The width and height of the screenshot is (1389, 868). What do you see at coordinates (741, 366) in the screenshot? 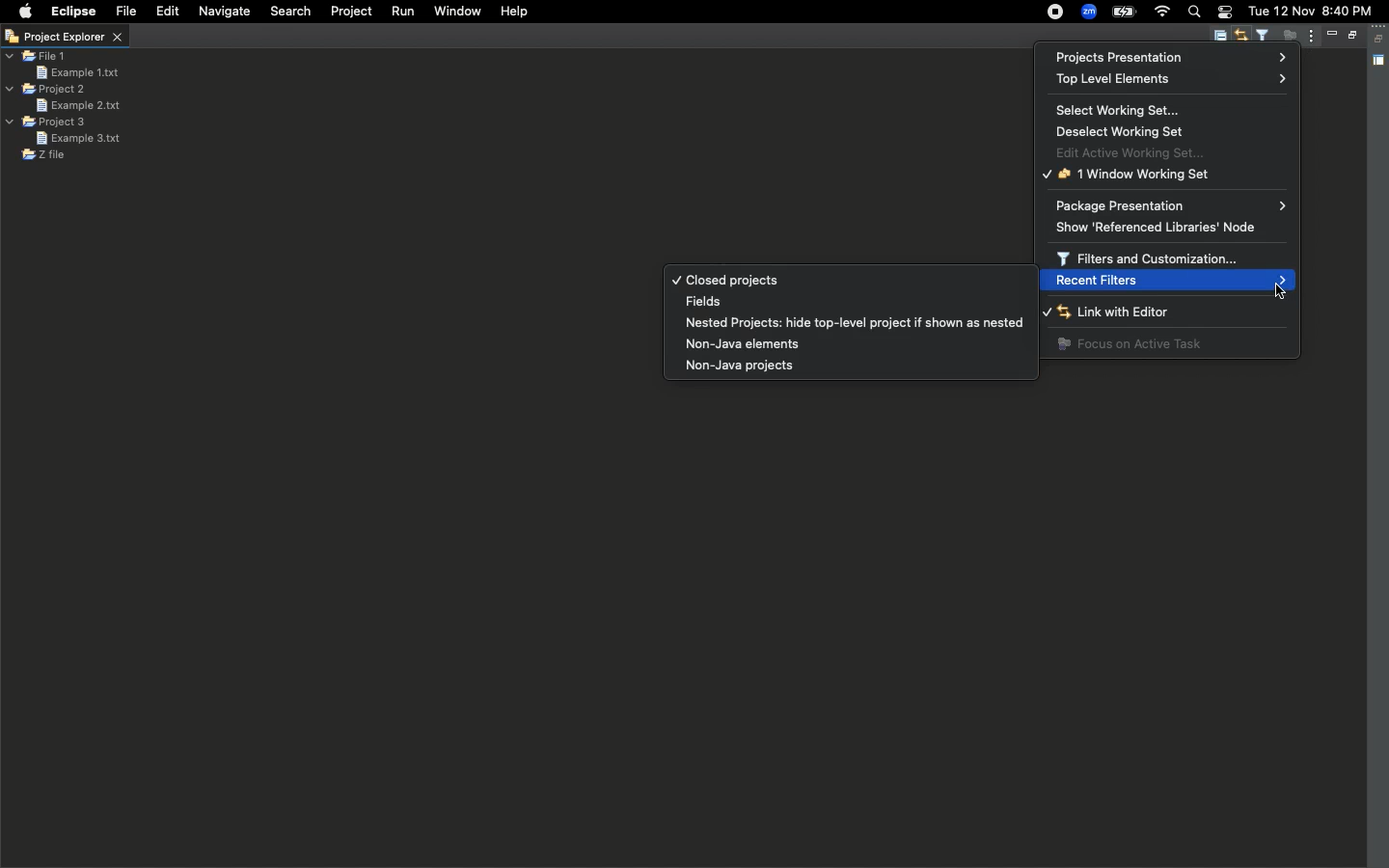
I see `Non-java projects` at bounding box center [741, 366].